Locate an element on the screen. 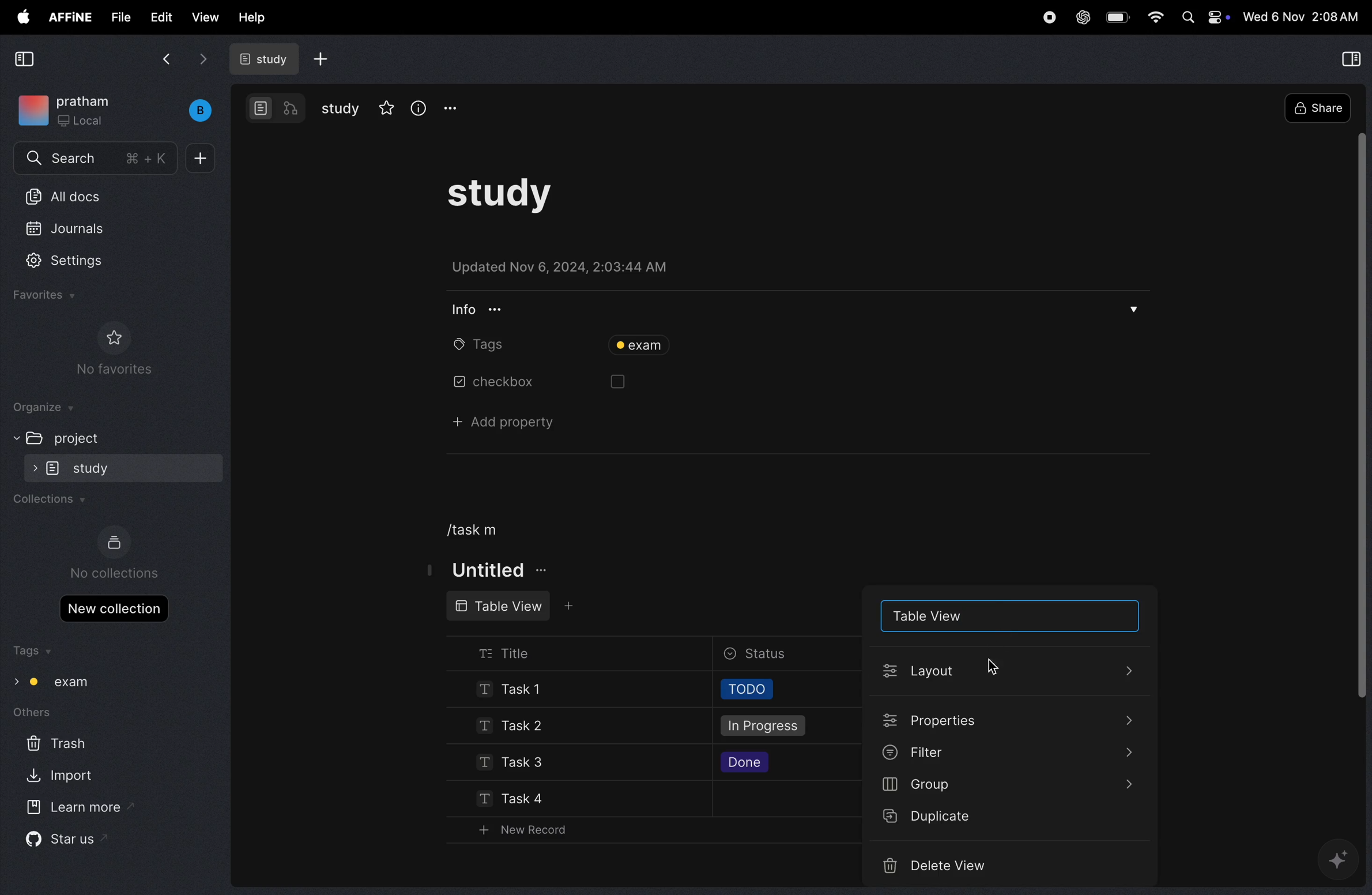 This screenshot has height=895, width=1372. collapse view is located at coordinates (1351, 57).